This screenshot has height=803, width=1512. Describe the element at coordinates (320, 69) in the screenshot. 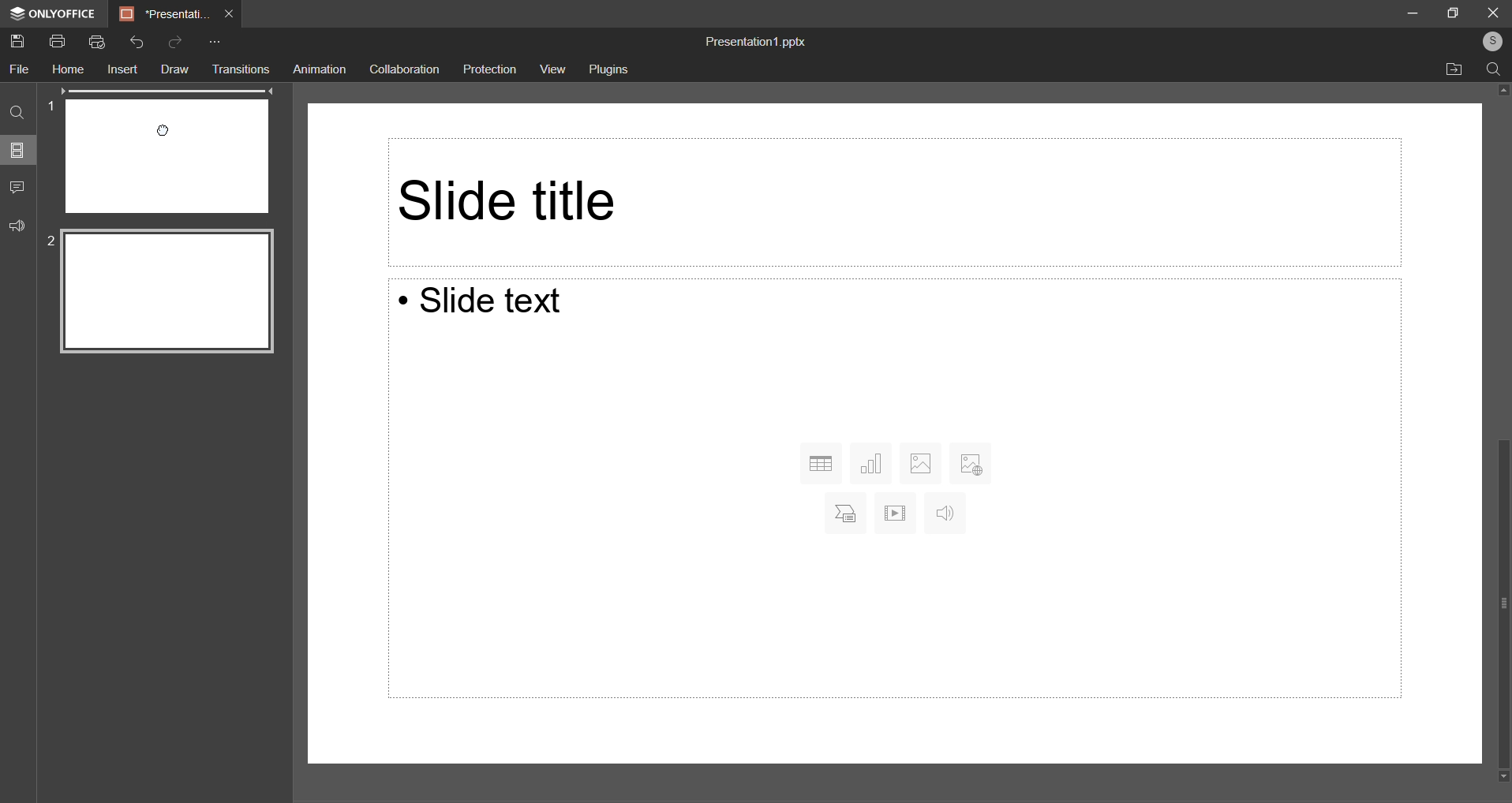

I see `Animation` at that location.